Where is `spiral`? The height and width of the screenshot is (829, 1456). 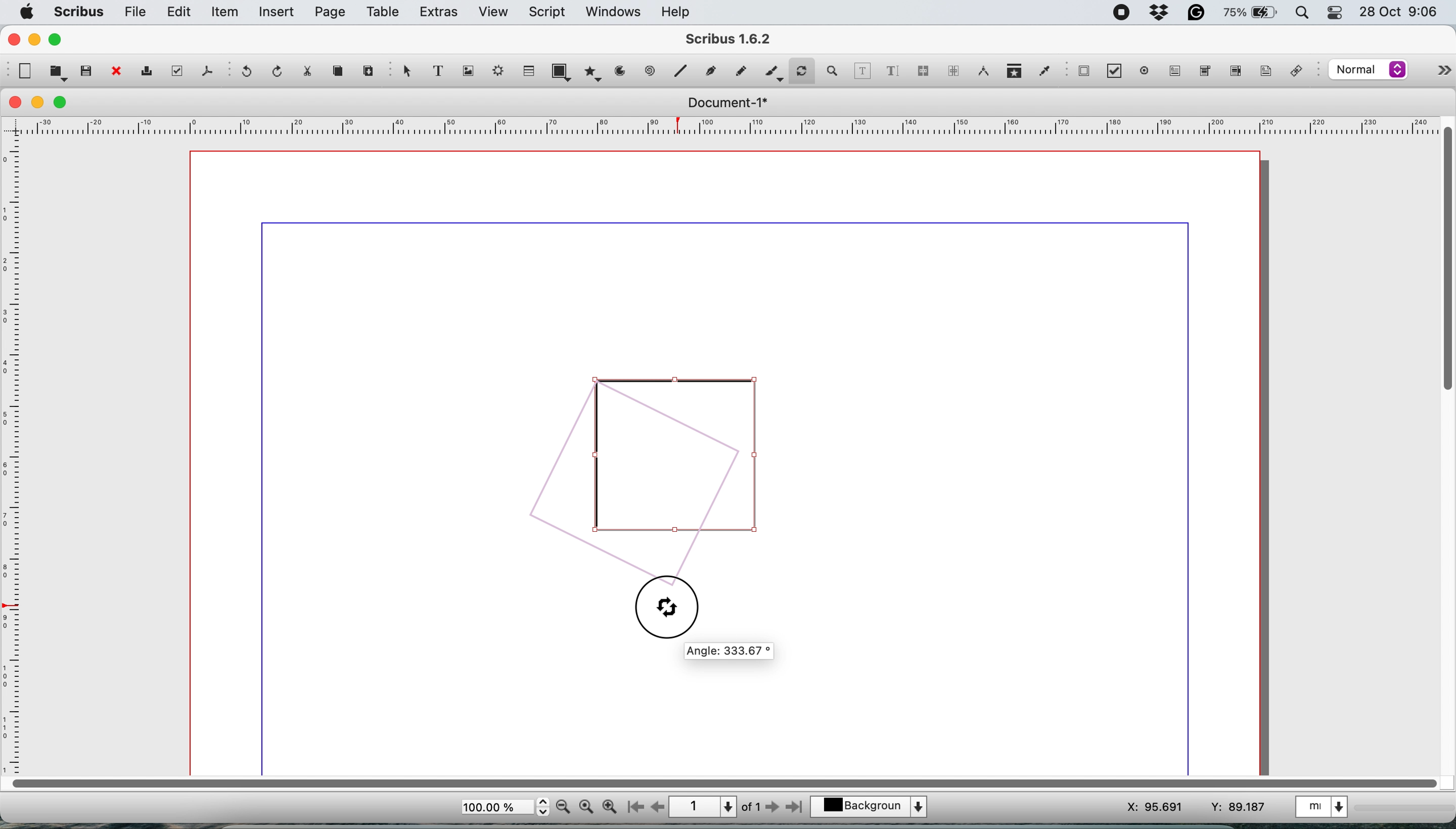
spiral is located at coordinates (683, 72).